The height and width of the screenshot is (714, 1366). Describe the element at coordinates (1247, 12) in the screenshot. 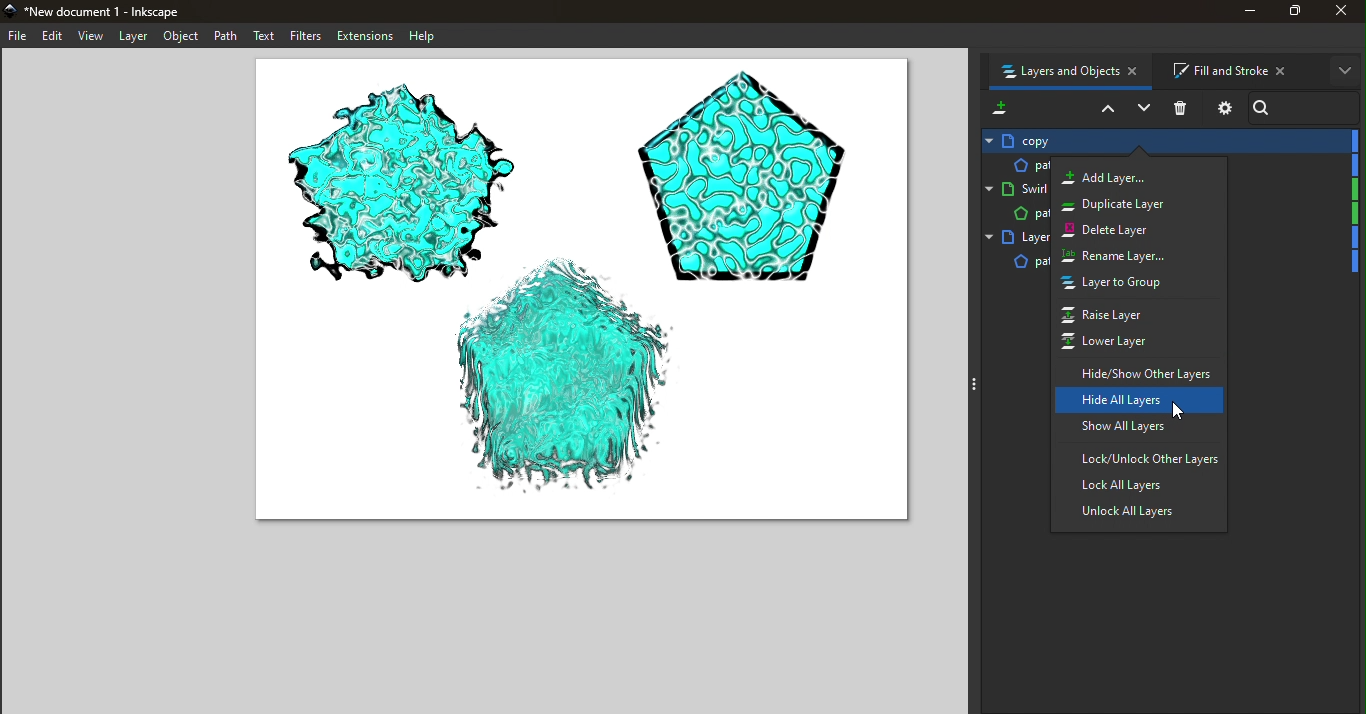

I see `Minimize` at that location.